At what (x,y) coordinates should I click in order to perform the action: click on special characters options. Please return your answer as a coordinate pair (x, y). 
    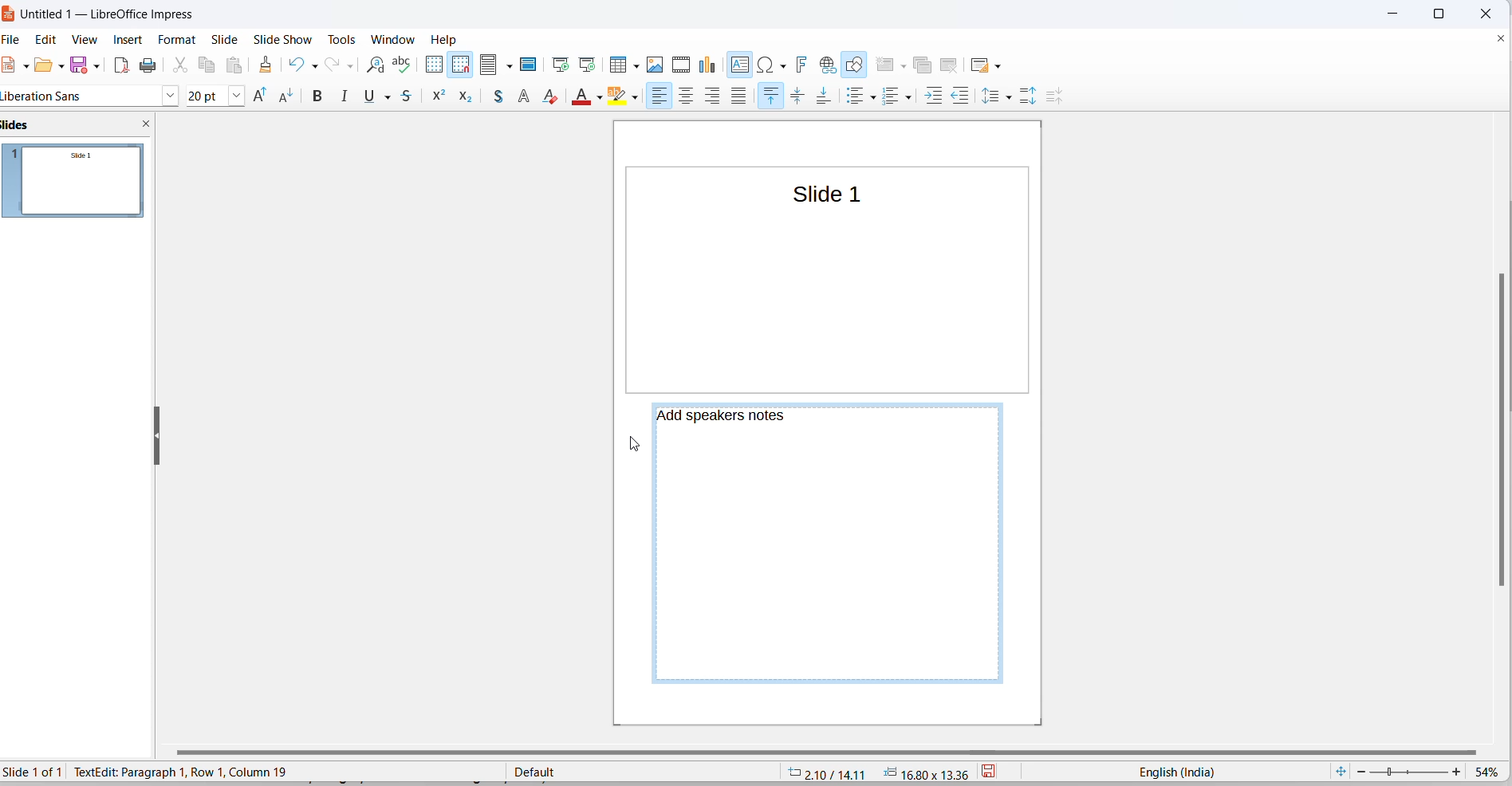
    Looking at the image, I should click on (782, 64).